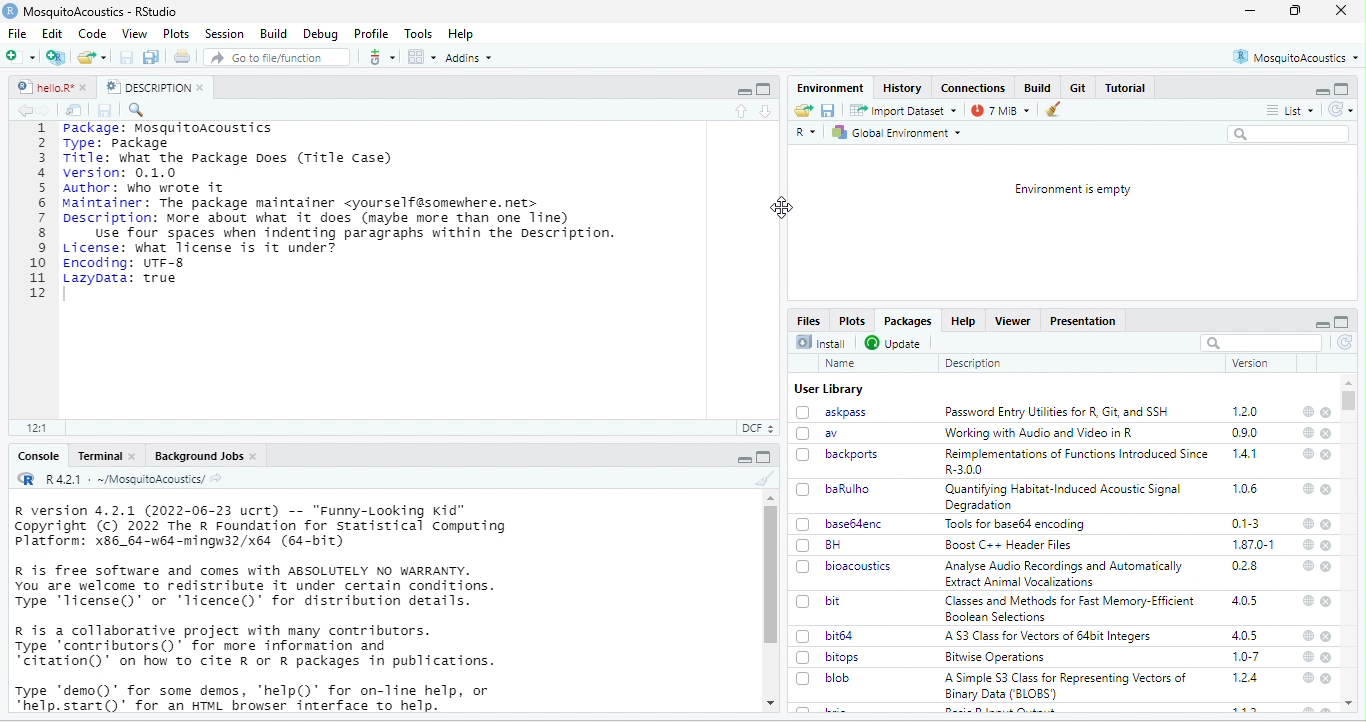  I want to click on History, so click(902, 88).